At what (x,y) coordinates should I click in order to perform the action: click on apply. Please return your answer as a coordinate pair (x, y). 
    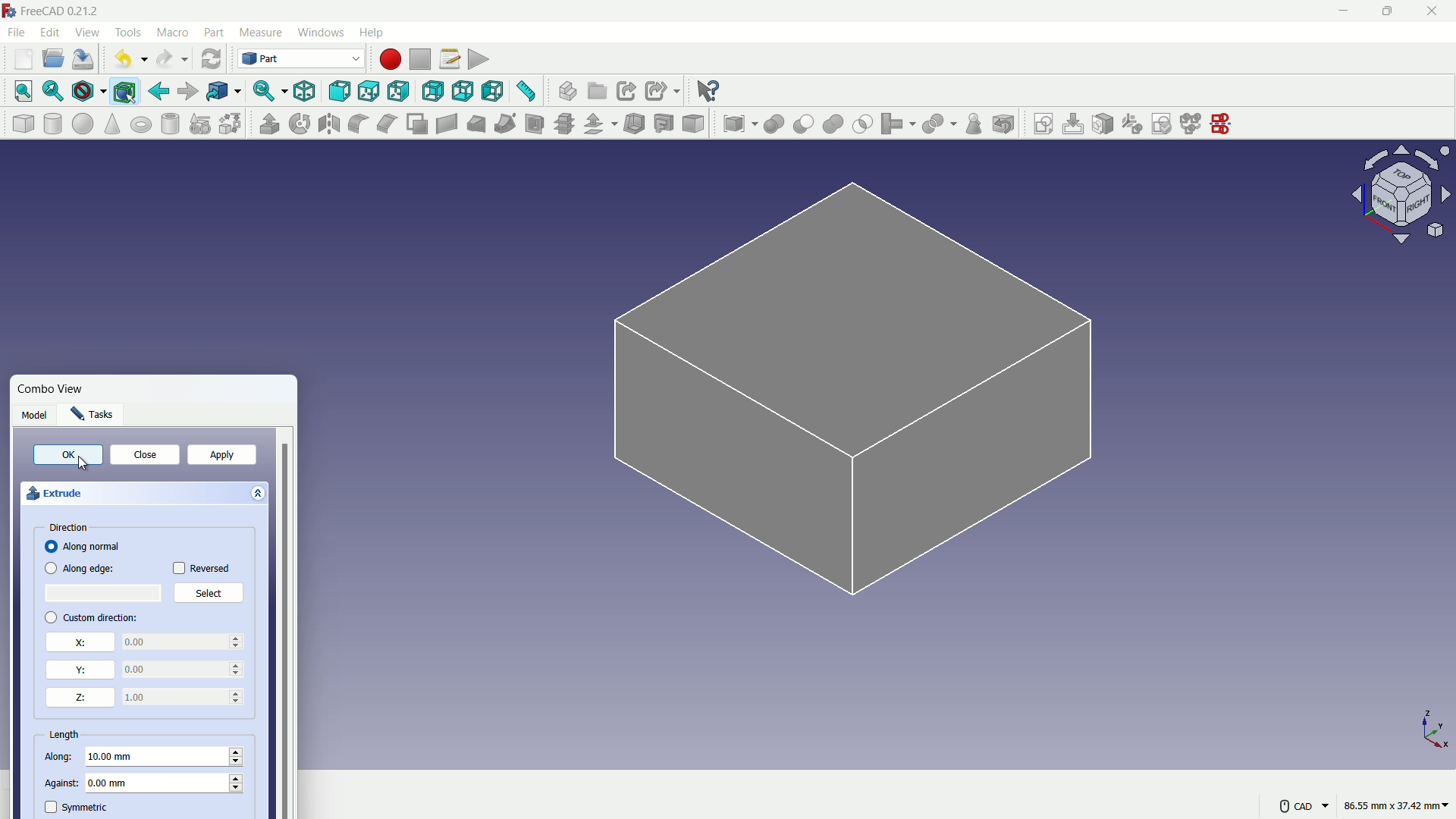
    Looking at the image, I should click on (224, 455).